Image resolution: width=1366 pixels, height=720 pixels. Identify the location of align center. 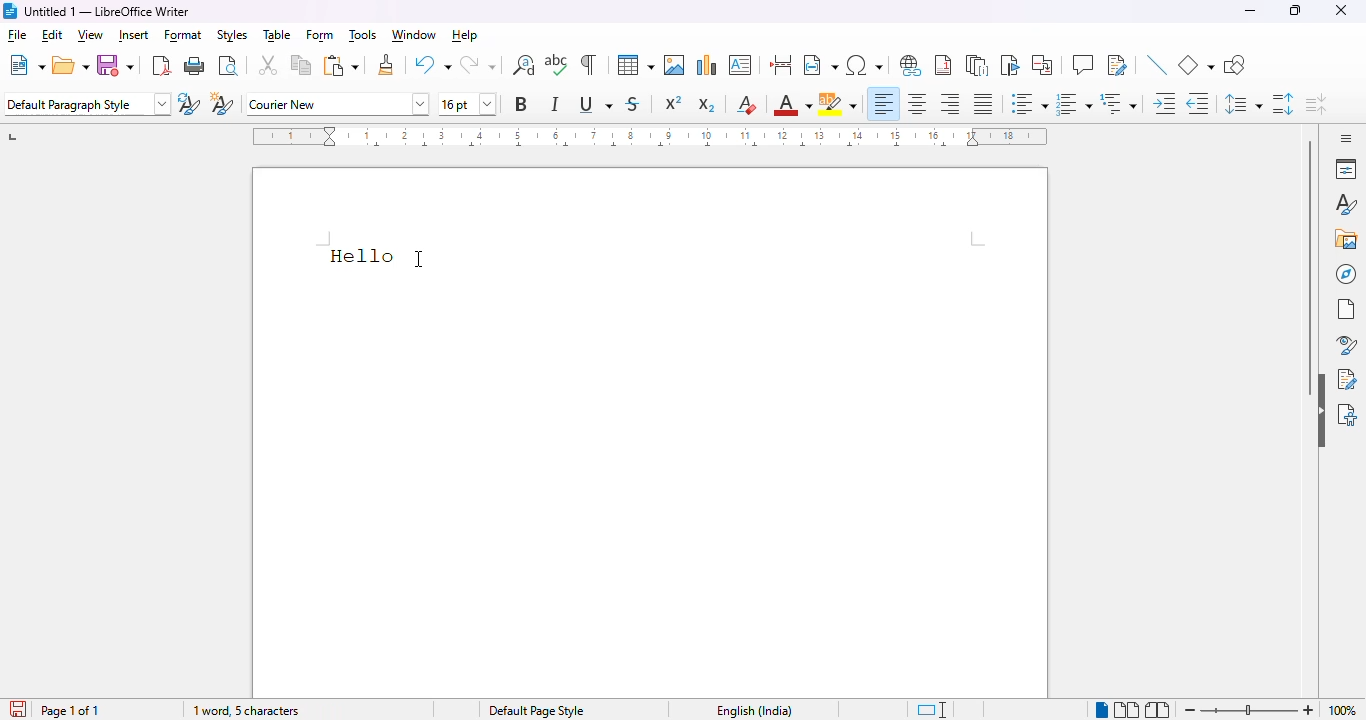
(917, 103).